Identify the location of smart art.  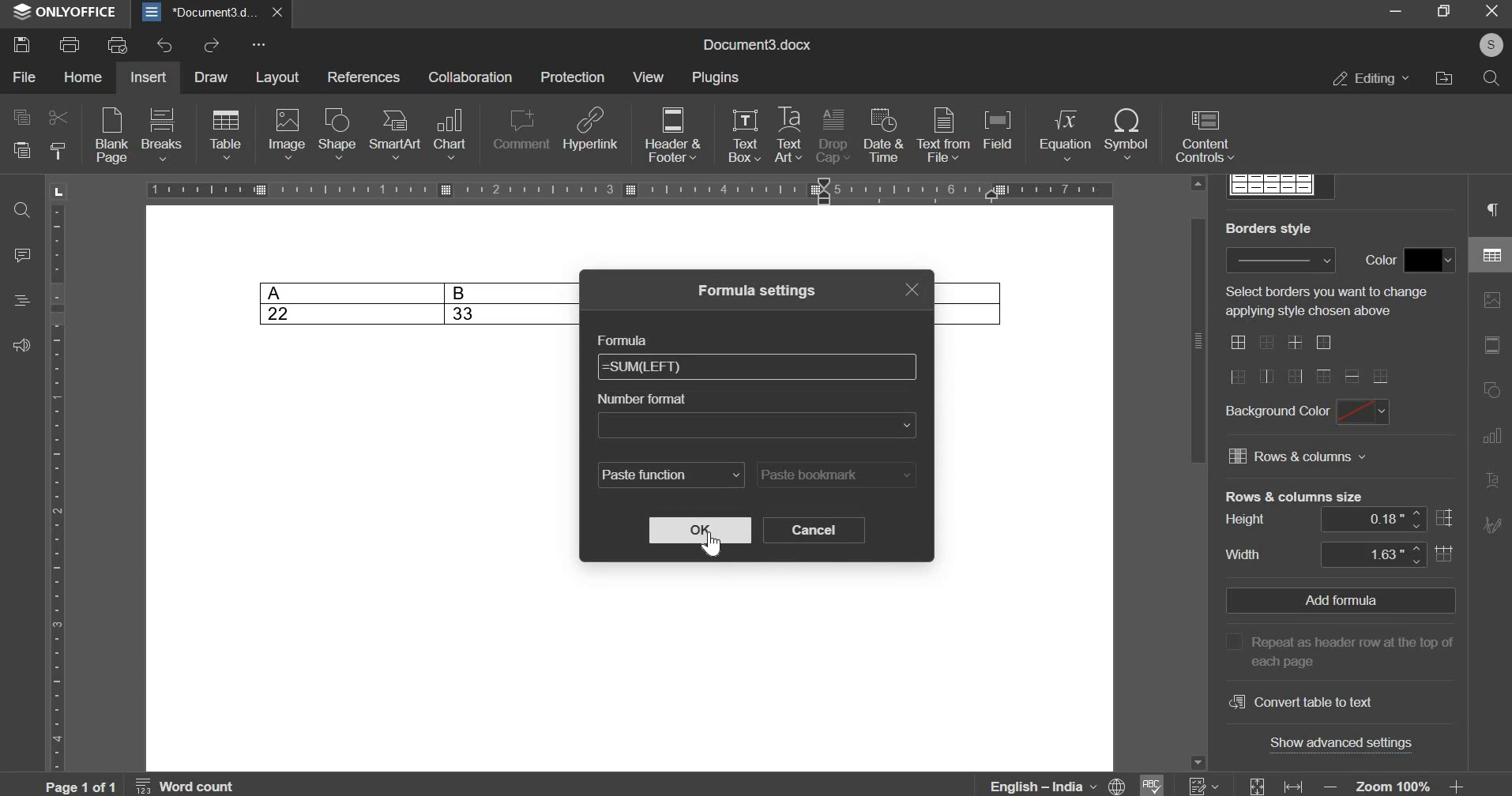
(394, 133).